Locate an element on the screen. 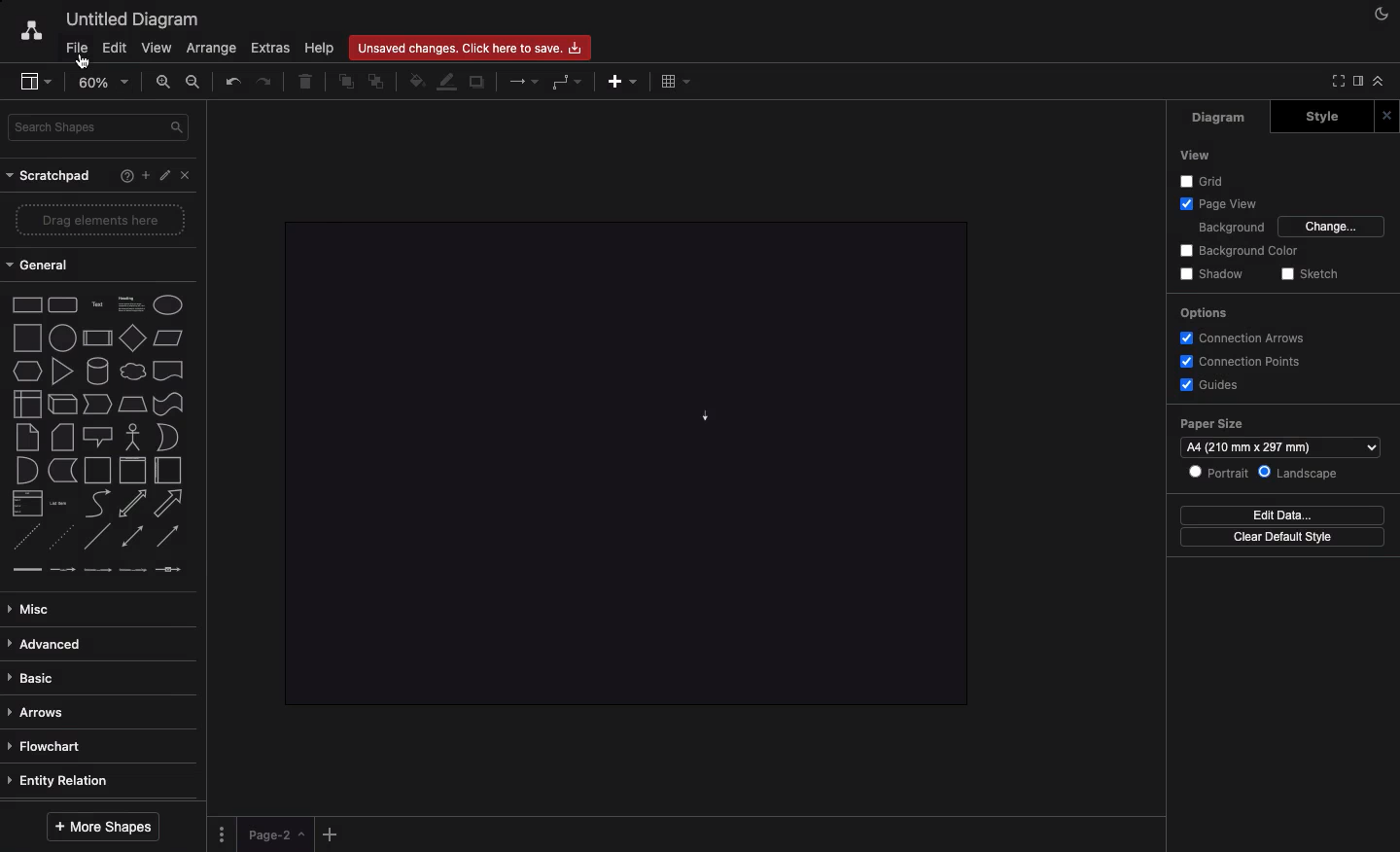  Sketch is located at coordinates (1308, 275).